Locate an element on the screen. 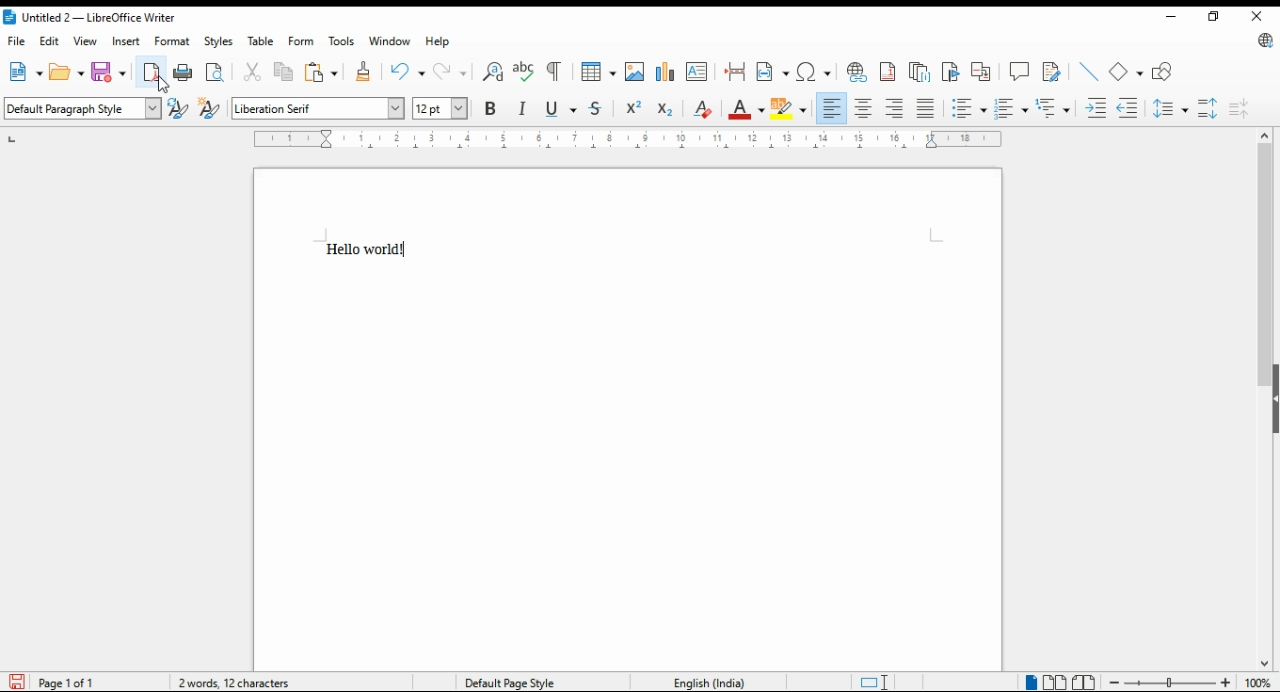  font name is located at coordinates (317, 108).